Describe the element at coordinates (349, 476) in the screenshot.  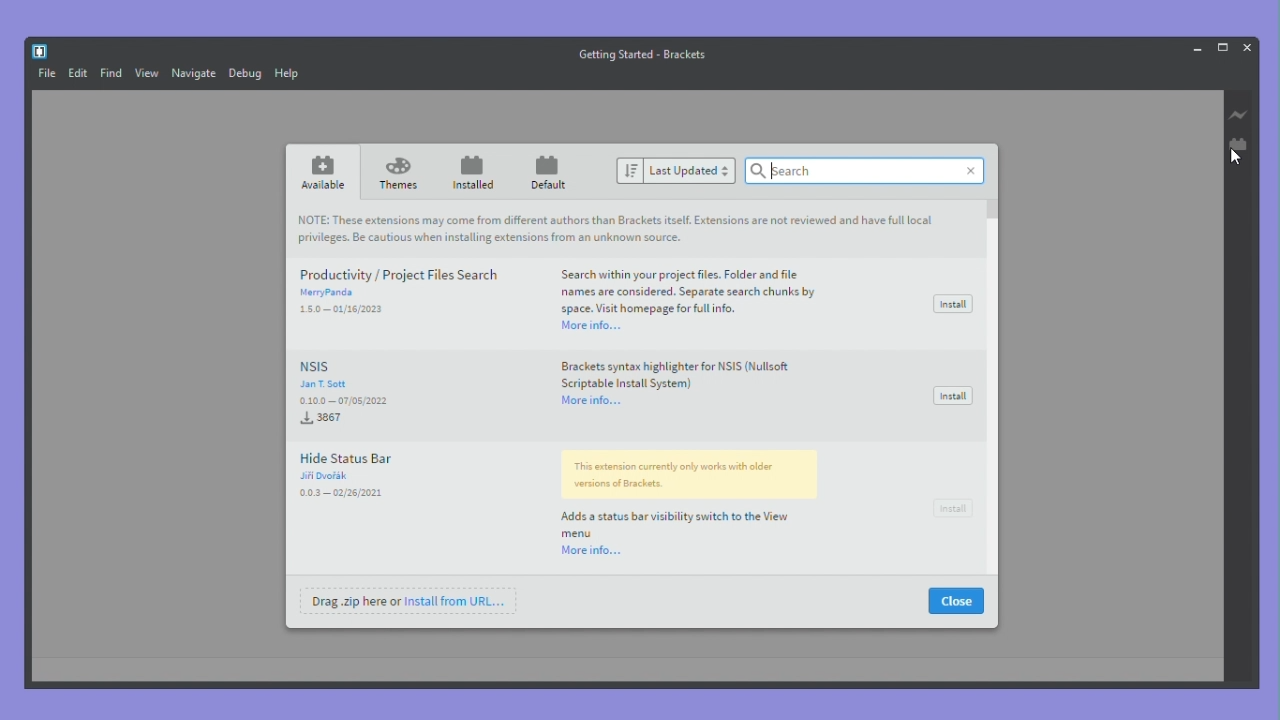
I see `Jiri Dvorak` at that location.